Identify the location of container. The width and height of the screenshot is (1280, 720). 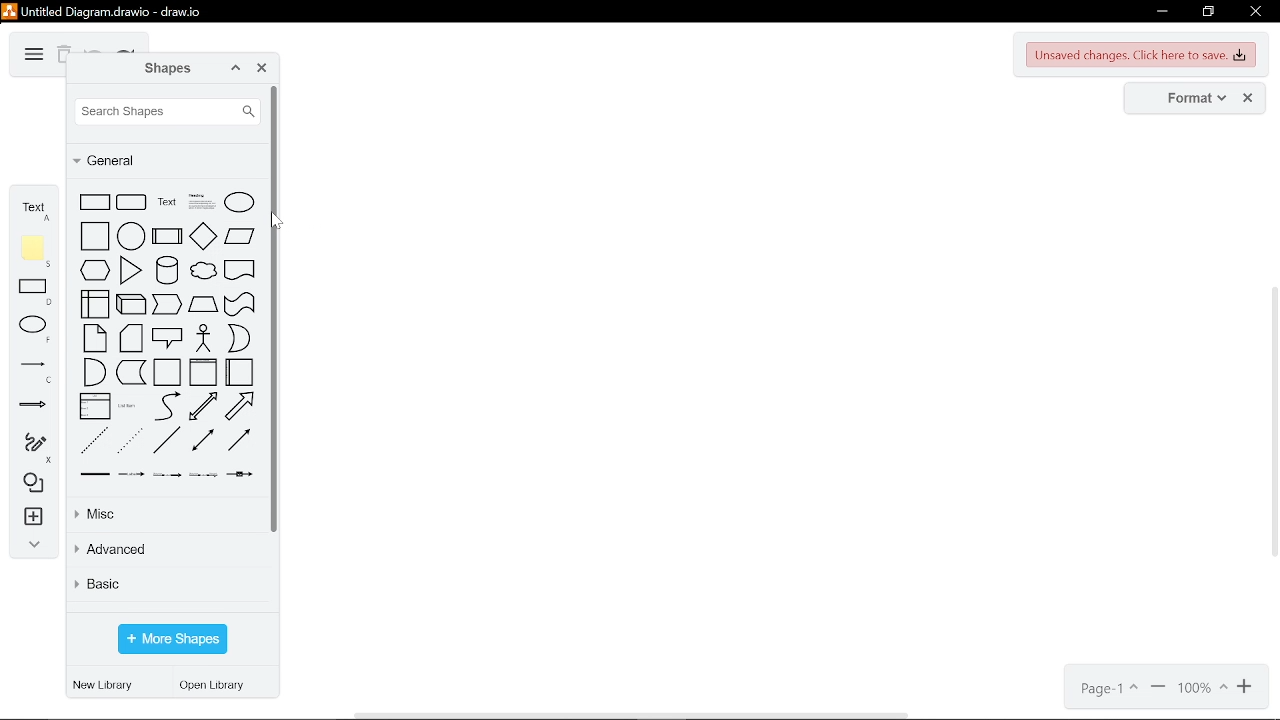
(167, 372).